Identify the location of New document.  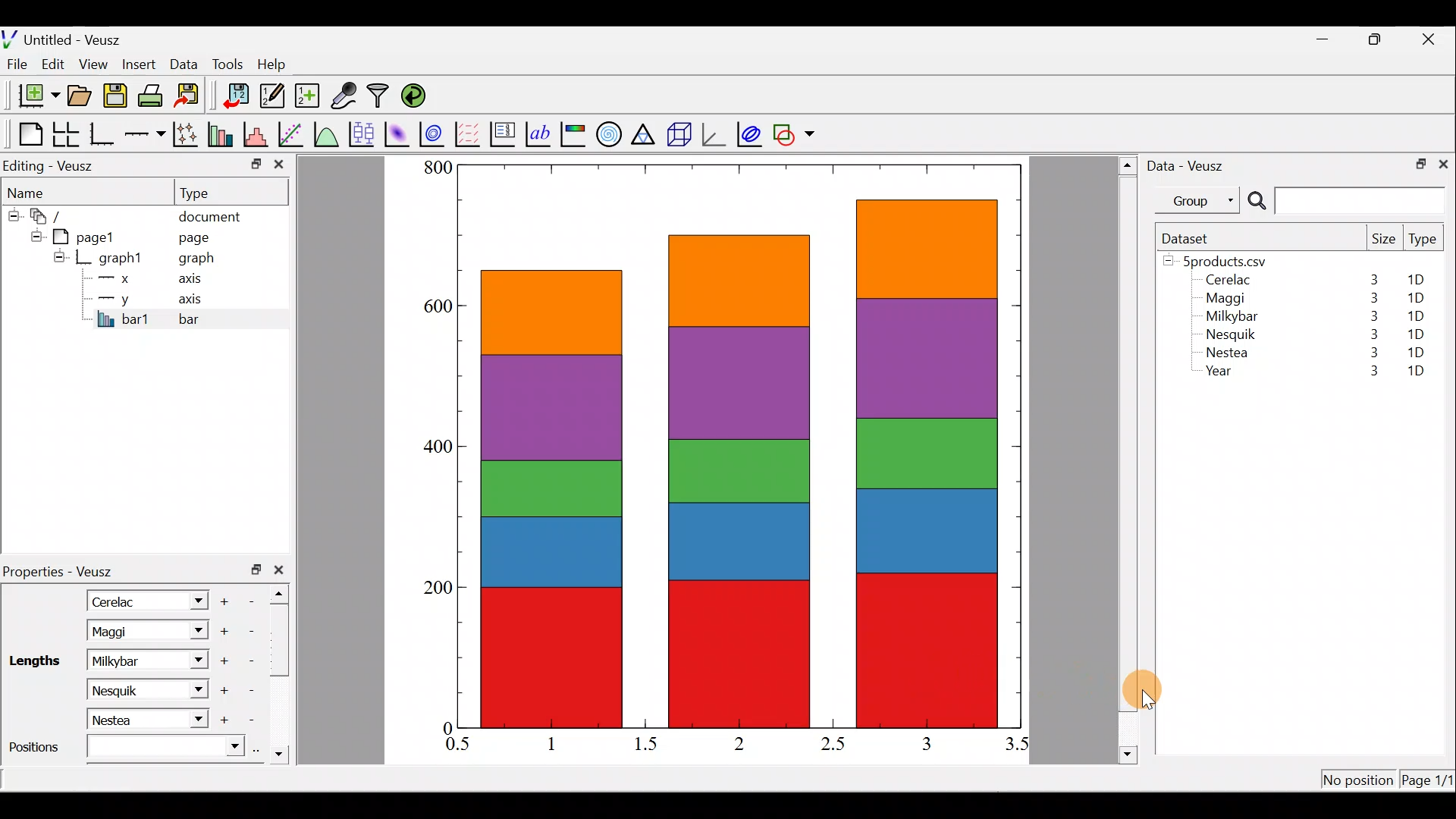
(33, 96).